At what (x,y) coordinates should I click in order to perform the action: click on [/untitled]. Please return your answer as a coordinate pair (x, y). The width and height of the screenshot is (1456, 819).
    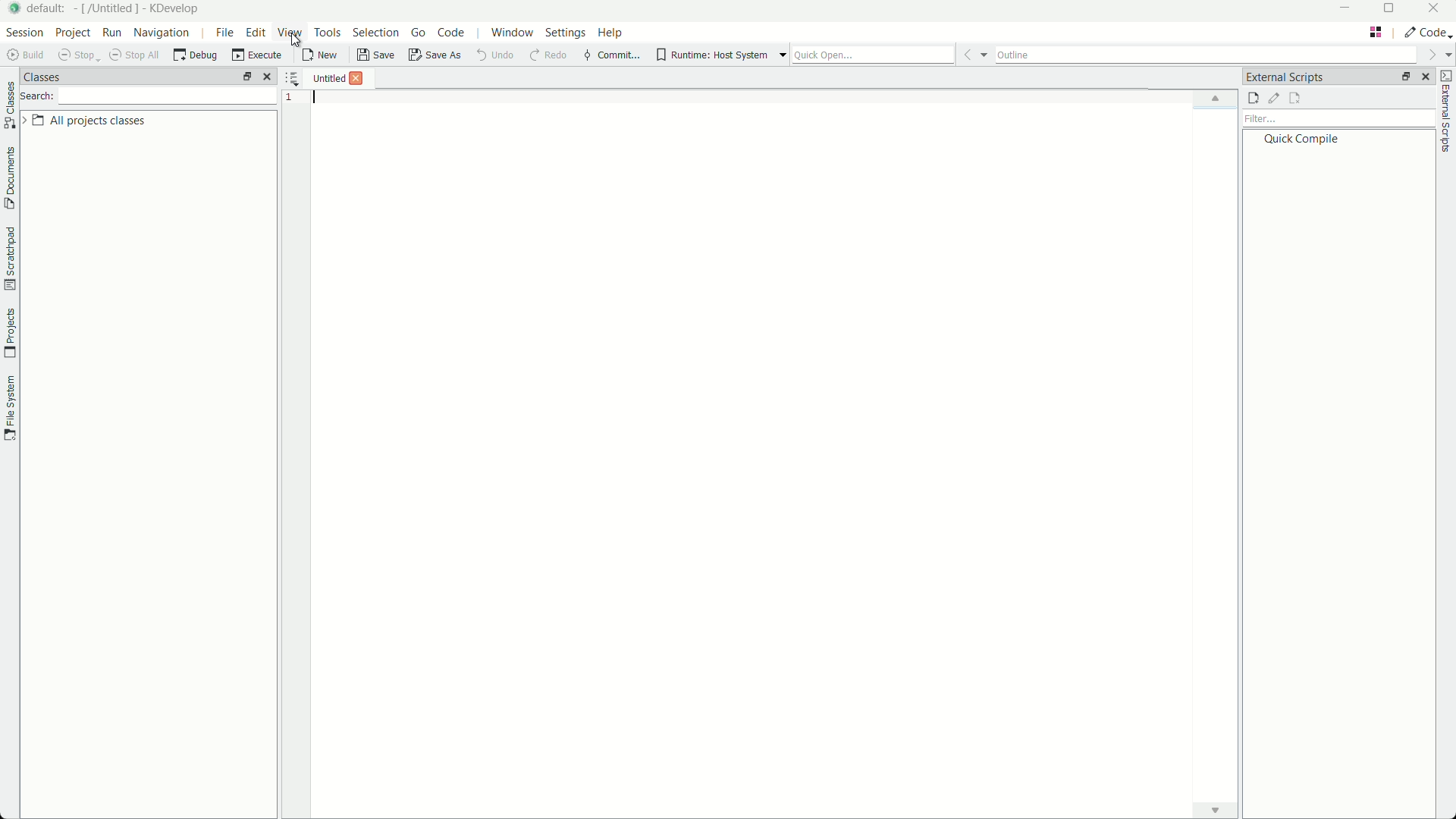
    Looking at the image, I should click on (106, 9).